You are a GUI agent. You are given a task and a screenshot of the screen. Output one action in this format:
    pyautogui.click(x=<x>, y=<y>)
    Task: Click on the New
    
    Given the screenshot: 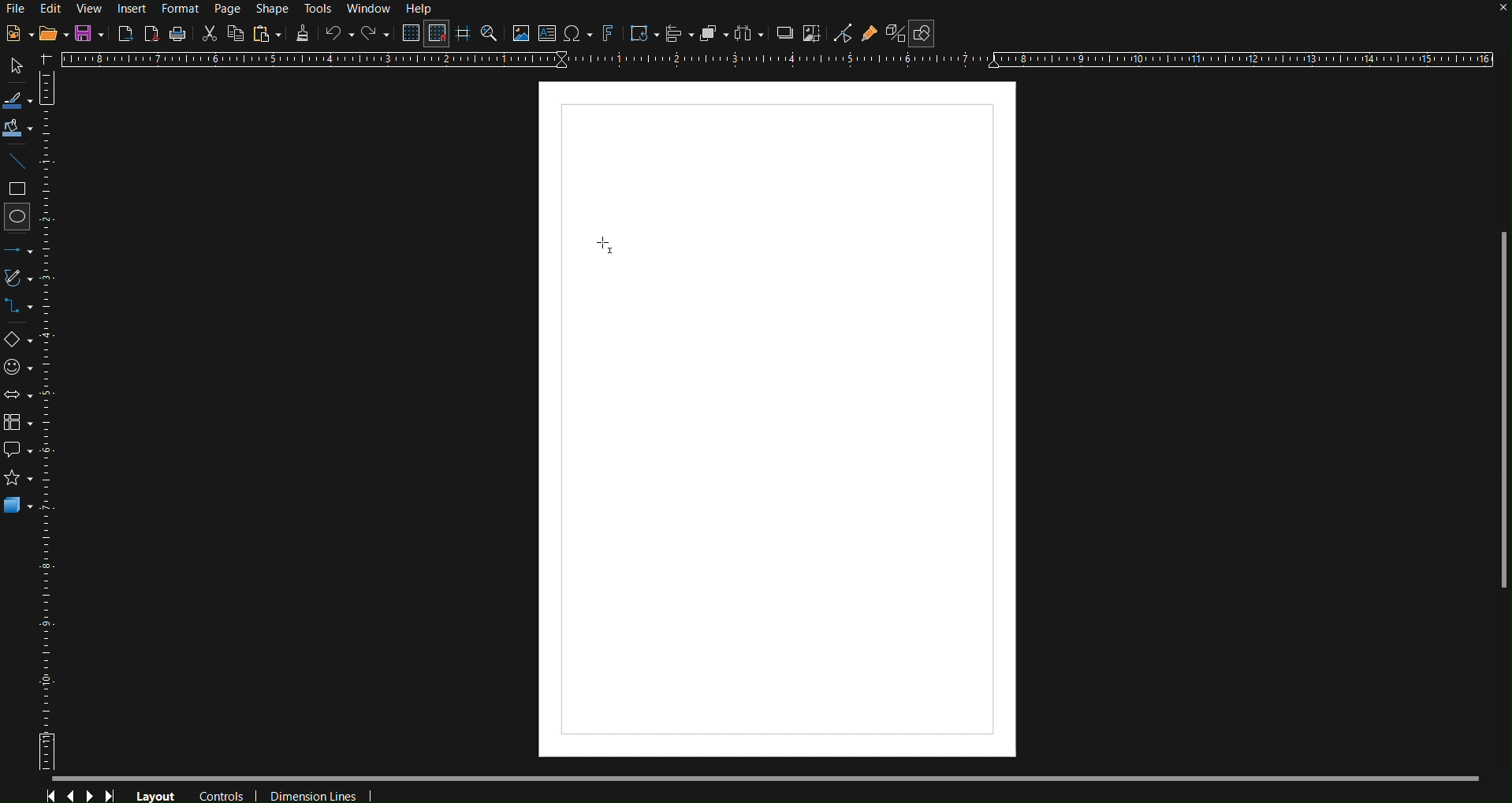 What is the action you would take?
    pyautogui.click(x=15, y=35)
    